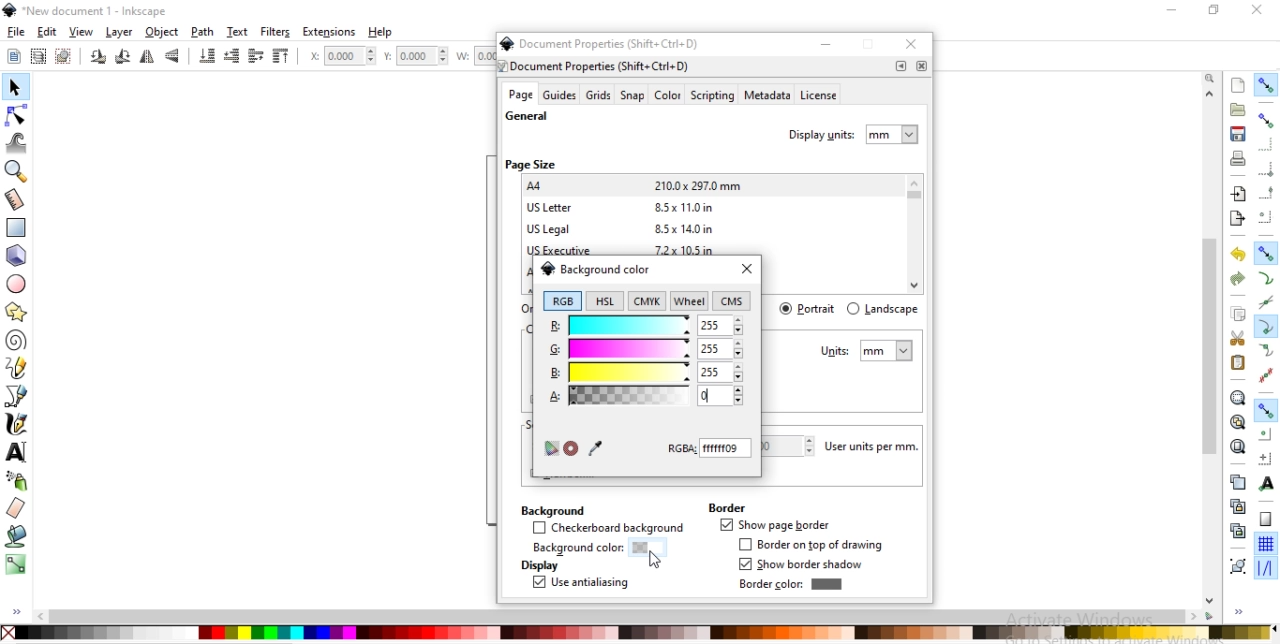  What do you see at coordinates (921, 66) in the screenshot?
I see `close` at bounding box center [921, 66].